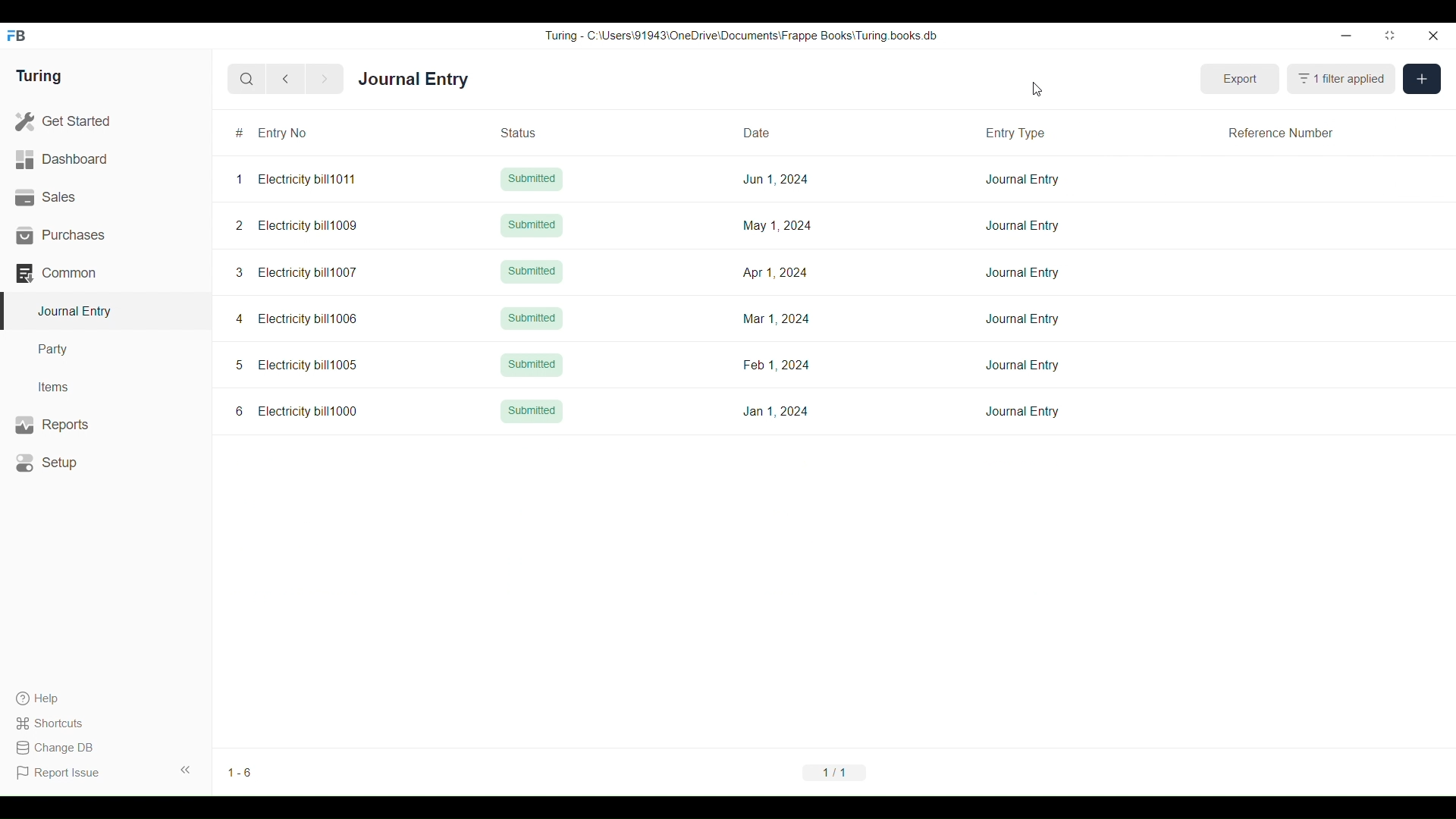 This screenshot has height=819, width=1456. I want to click on Items, so click(106, 388).